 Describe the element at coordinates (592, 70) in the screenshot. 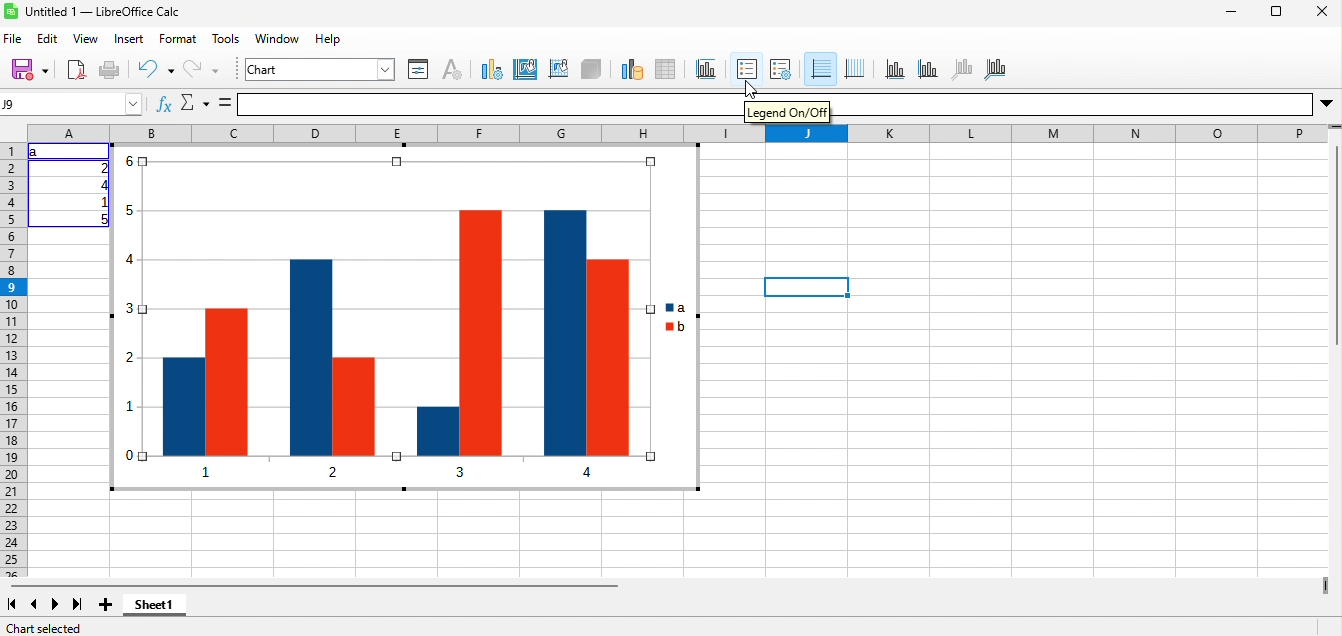

I see `3d view` at that location.